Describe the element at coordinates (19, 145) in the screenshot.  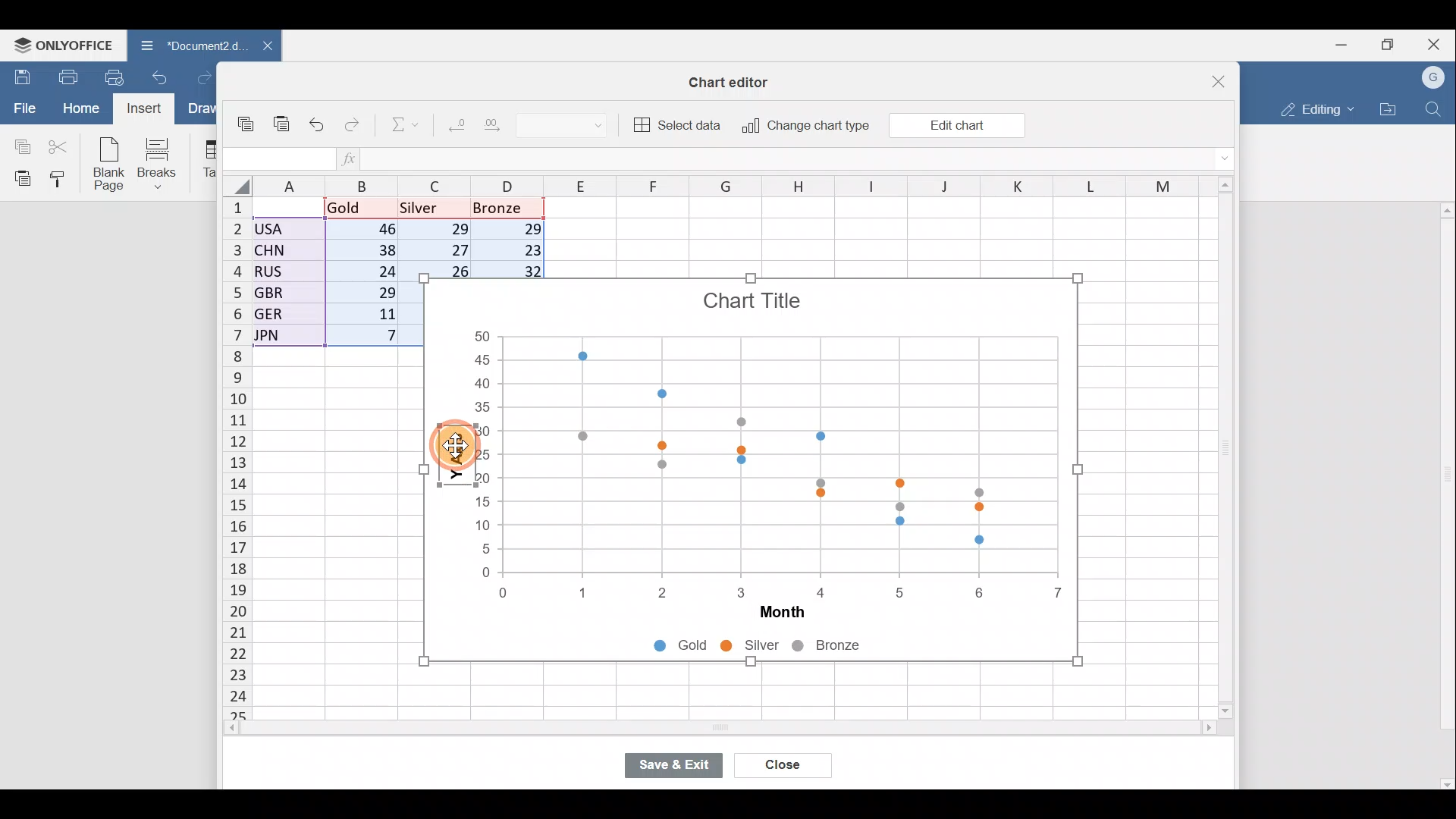
I see `Copy` at that location.